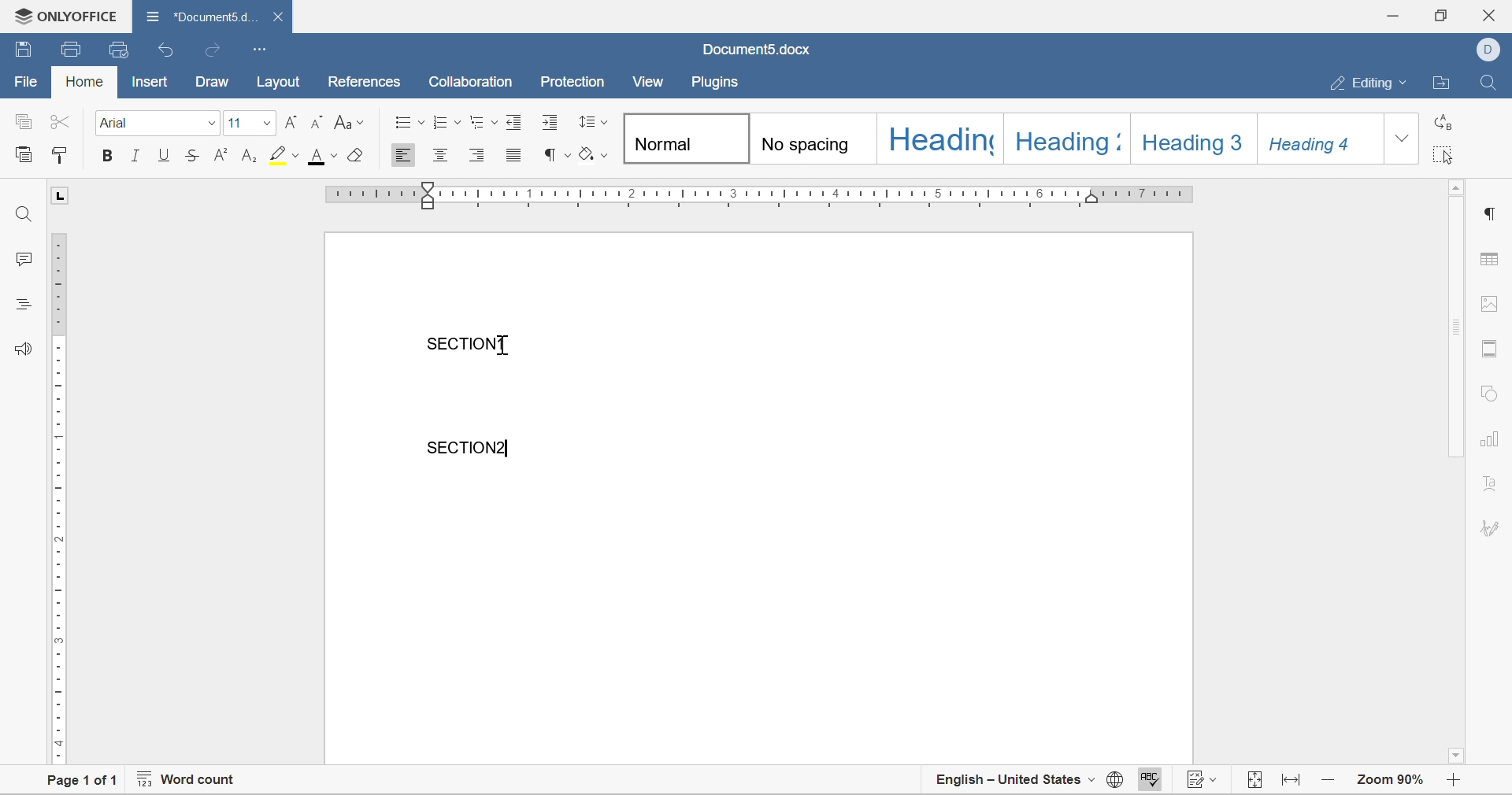 This screenshot has width=1512, height=795. I want to click on decrement font size, so click(317, 122).